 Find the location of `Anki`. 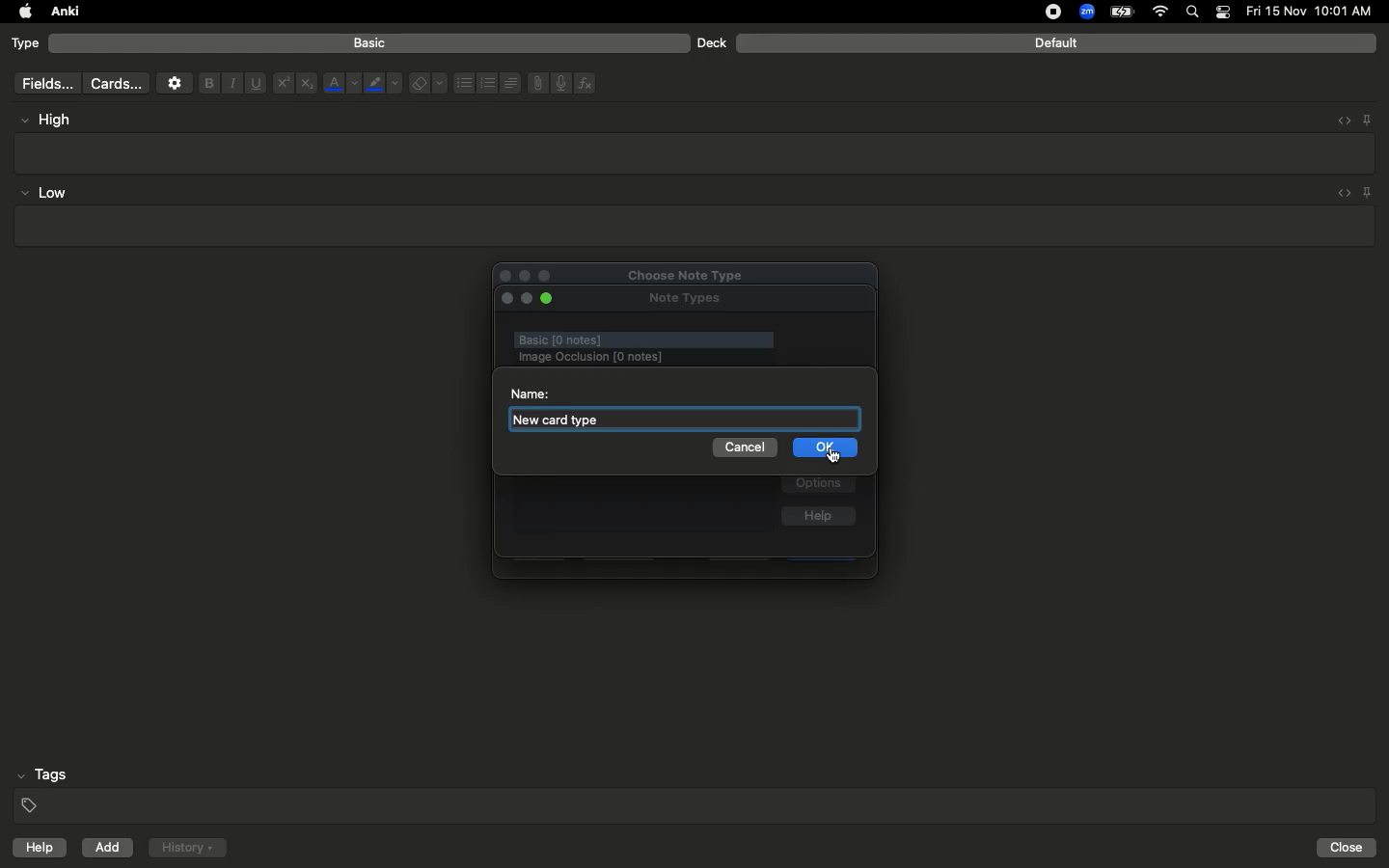

Anki is located at coordinates (64, 13).